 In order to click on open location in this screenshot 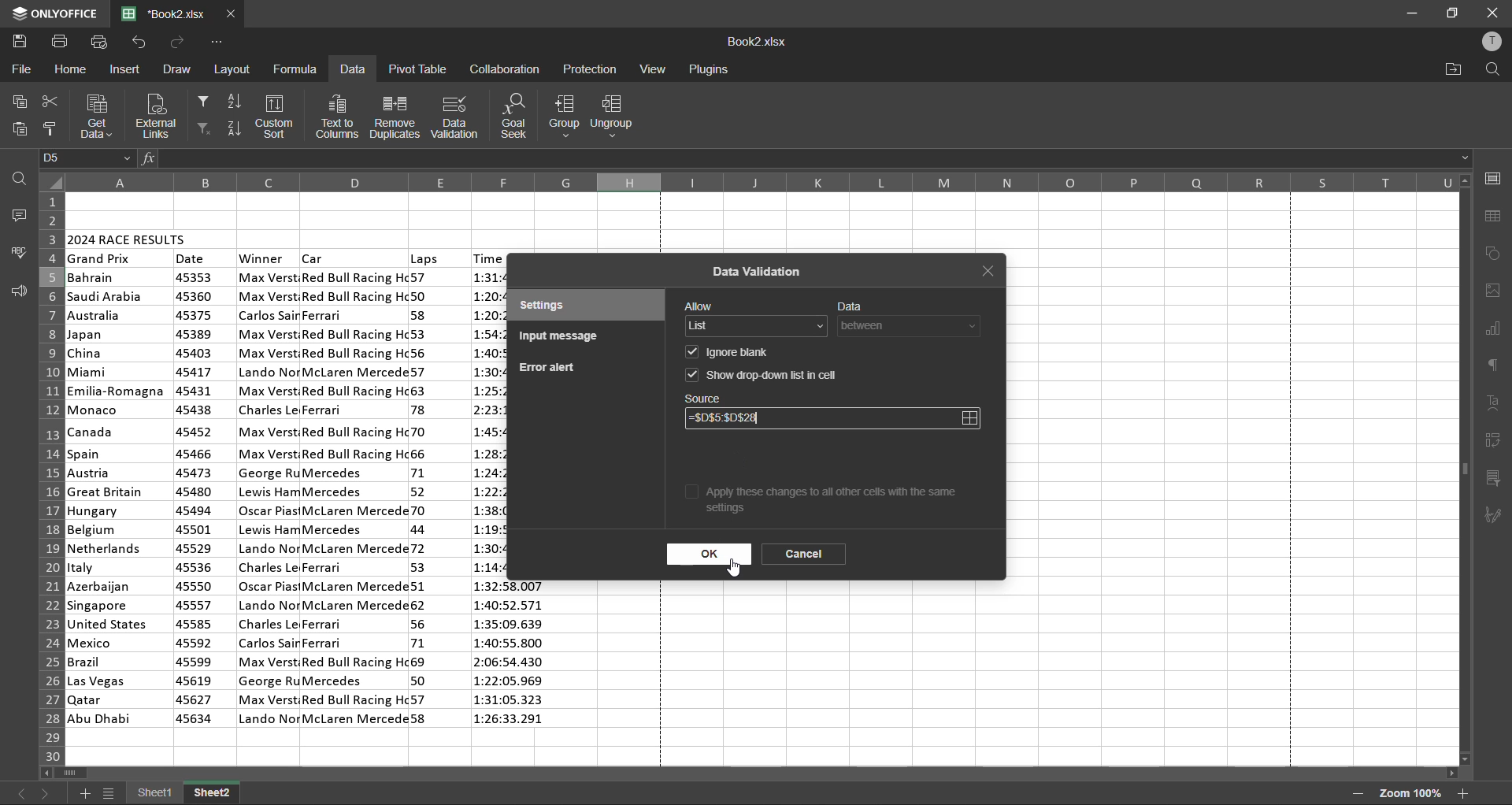, I will do `click(1454, 69)`.